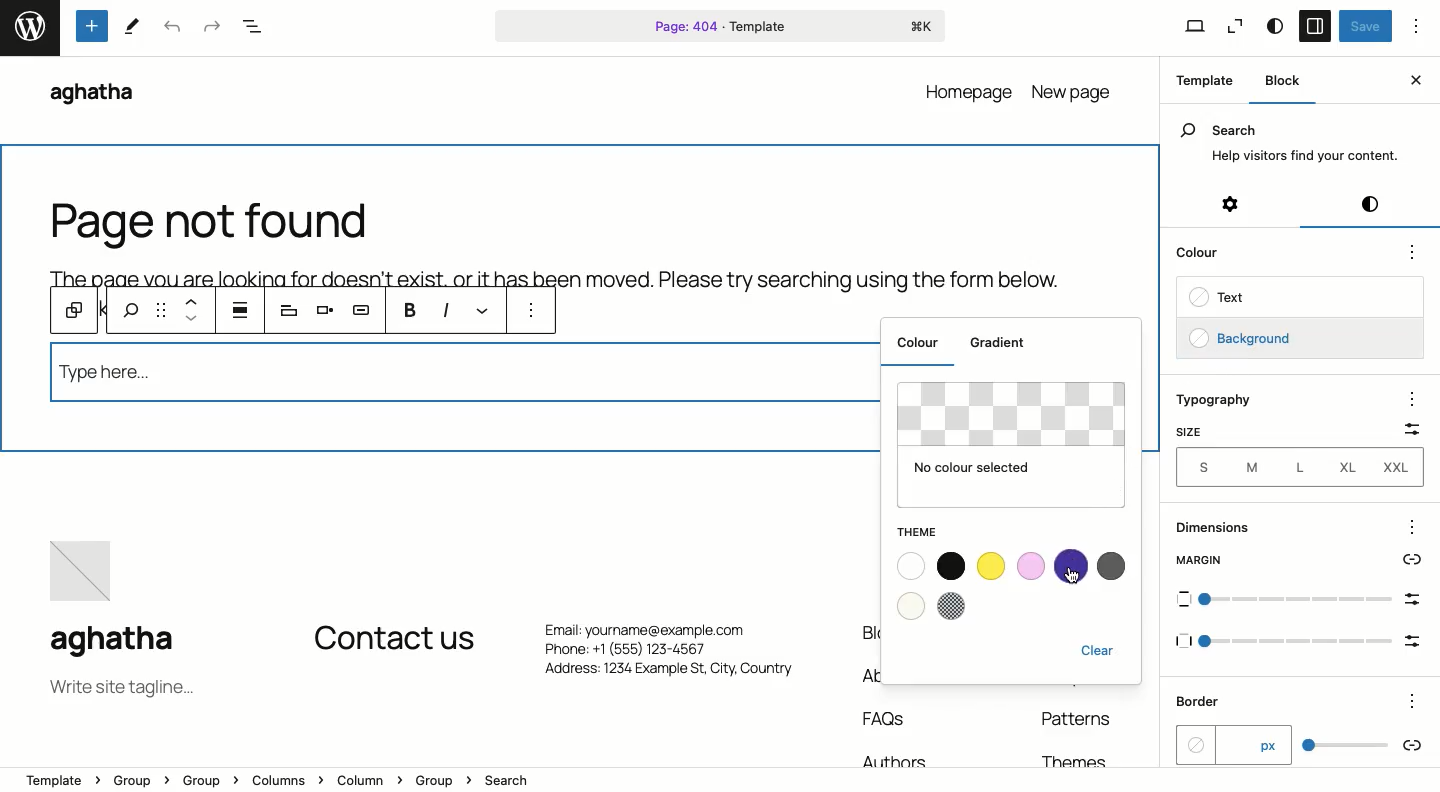 This screenshot has height=792, width=1440. I want to click on , so click(1417, 696).